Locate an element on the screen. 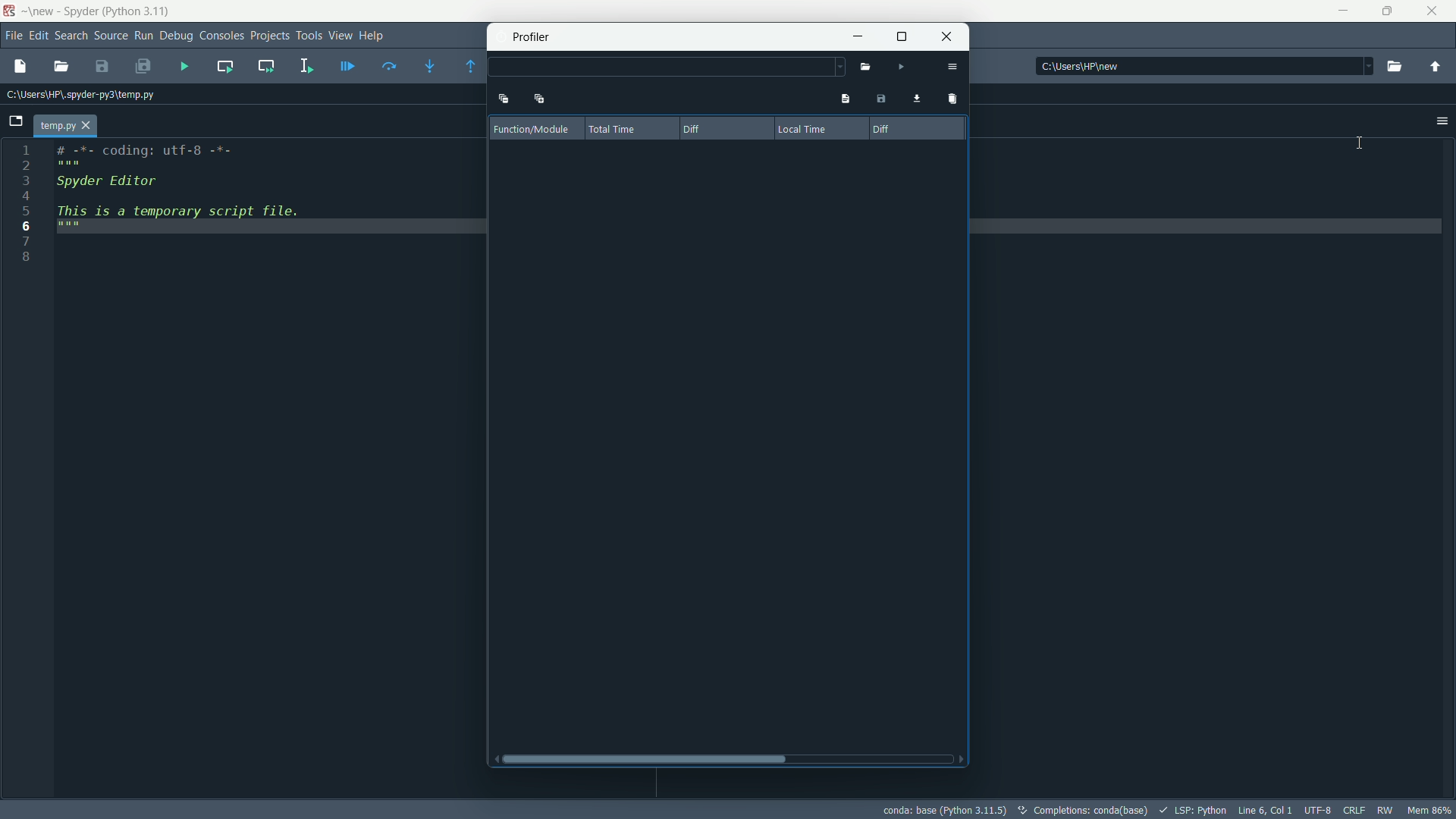 Image resolution: width=1456 pixels, height=819 pixels. memory usage is located at coordinates (1430, 811).